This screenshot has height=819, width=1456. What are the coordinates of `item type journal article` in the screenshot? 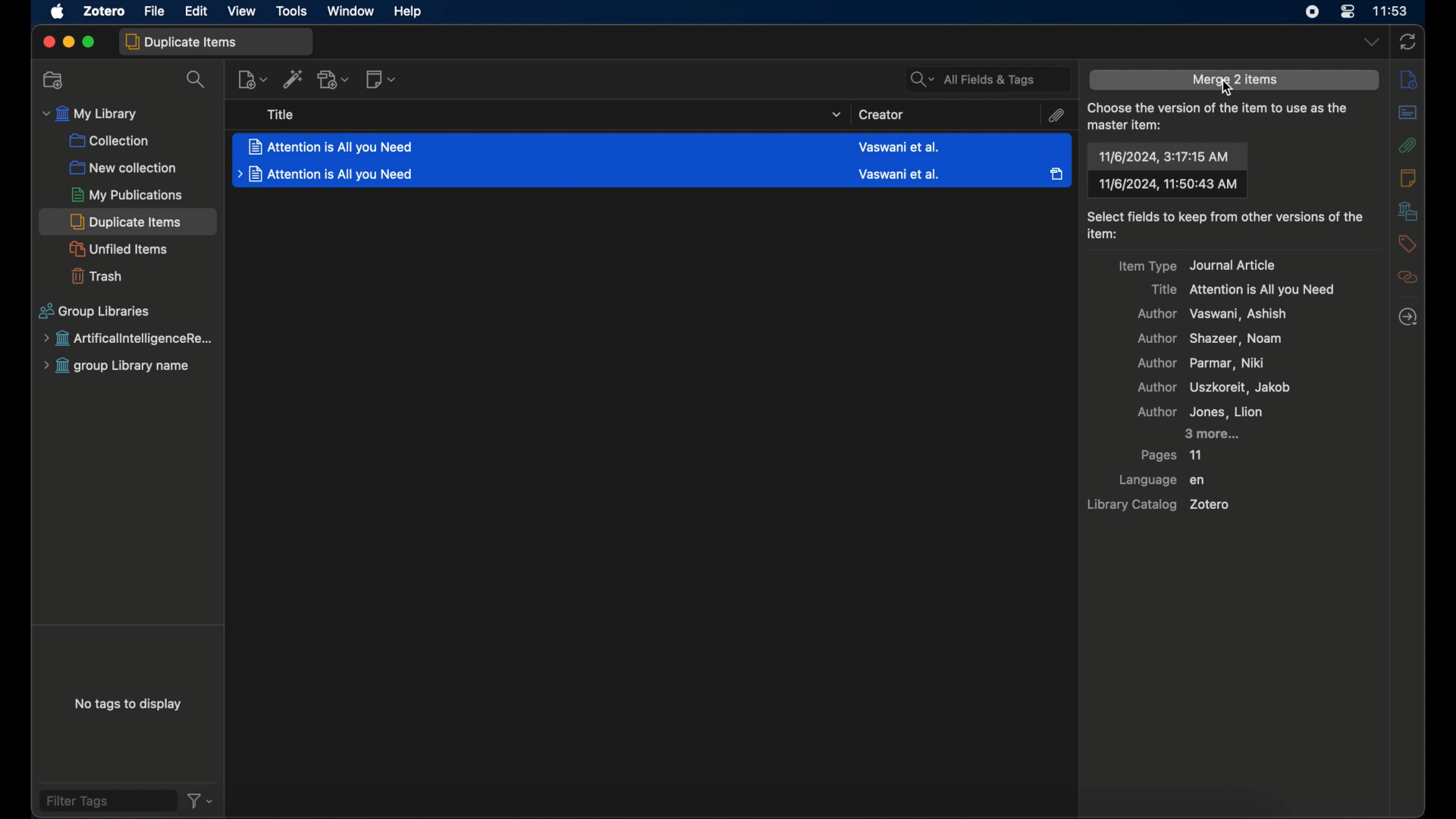 It's located at (1197, 266).